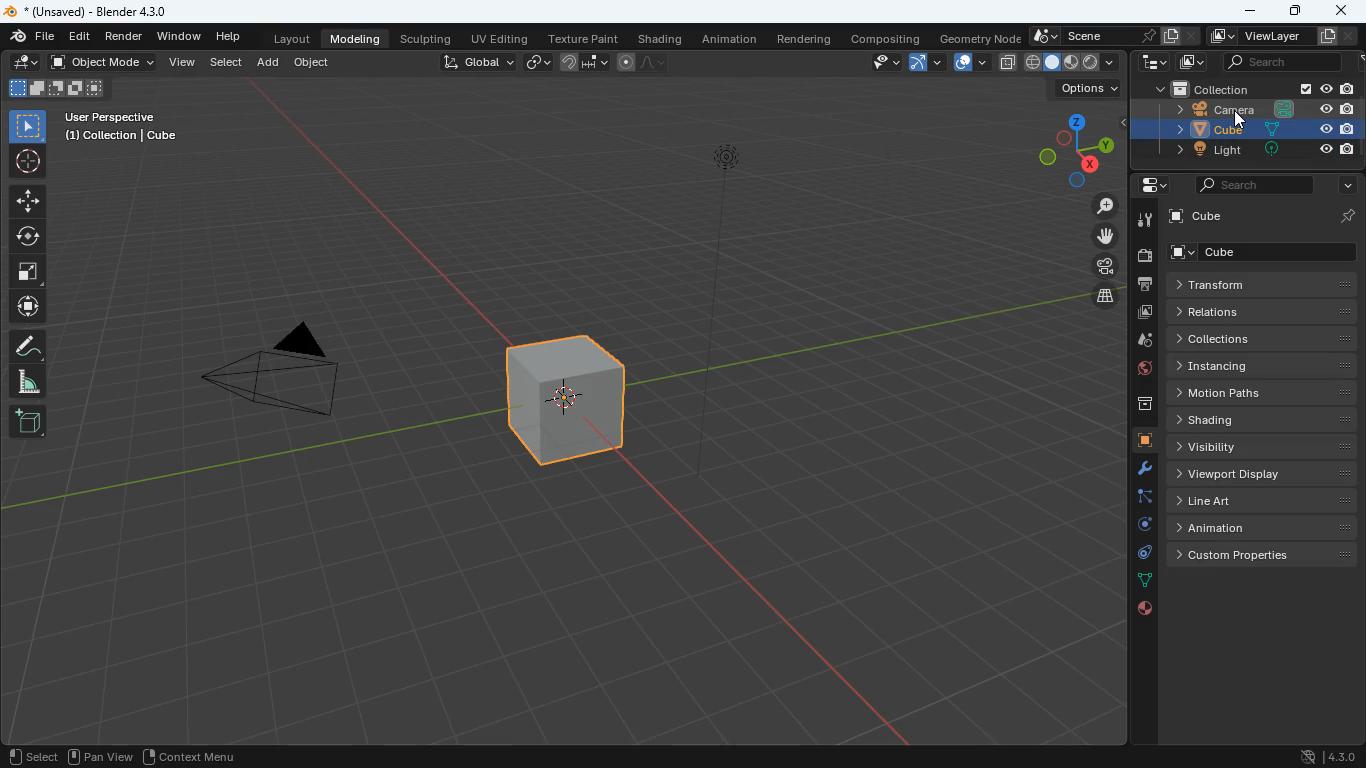  Describe the element at coordinates (1090, 89) in the screenshot. I see `options` at that location.